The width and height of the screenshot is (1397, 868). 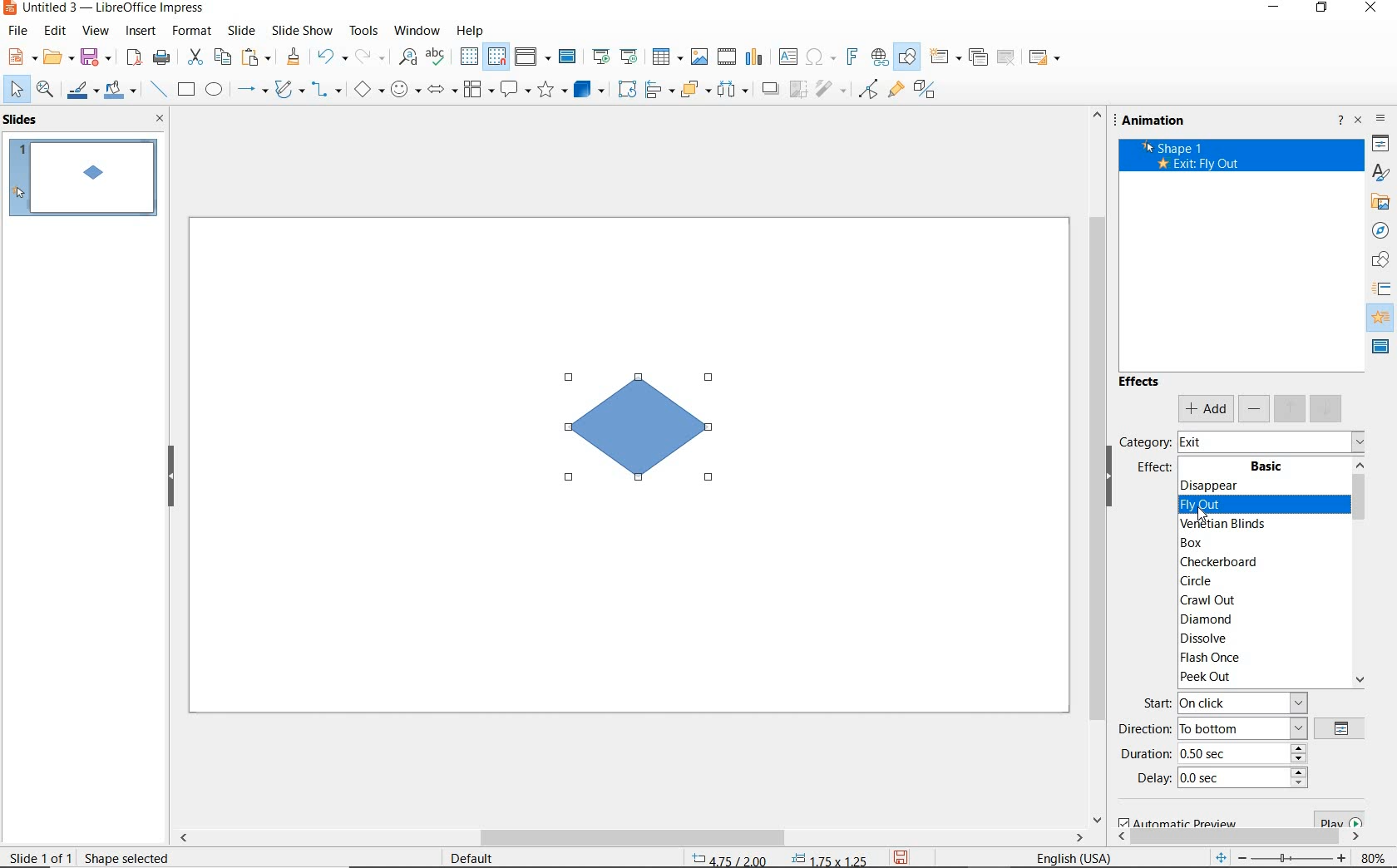 I want to click on shape selected, so click(x=130, y=860).